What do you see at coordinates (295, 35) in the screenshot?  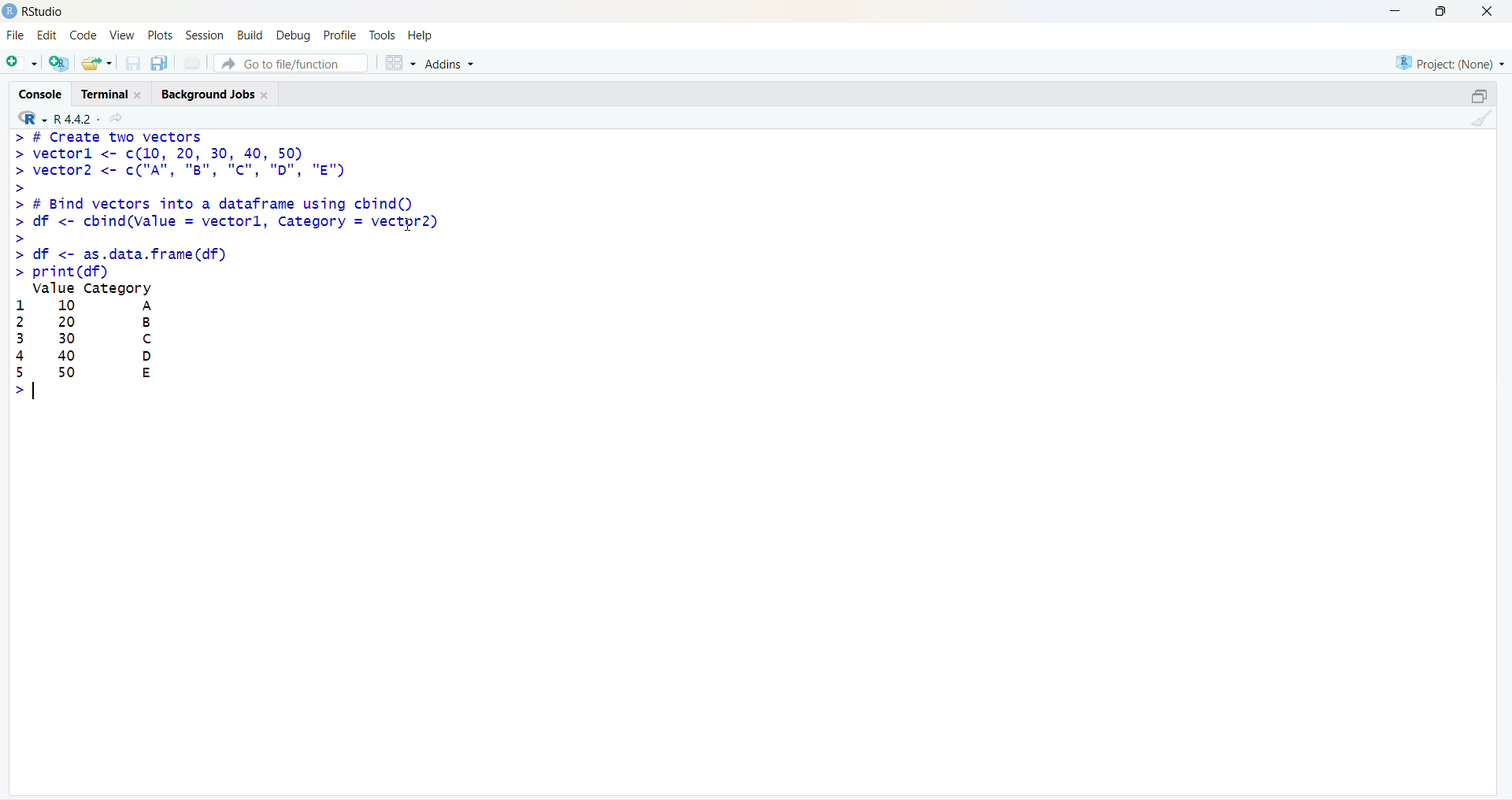 I see `Debug` at bounding box center [295, 35].